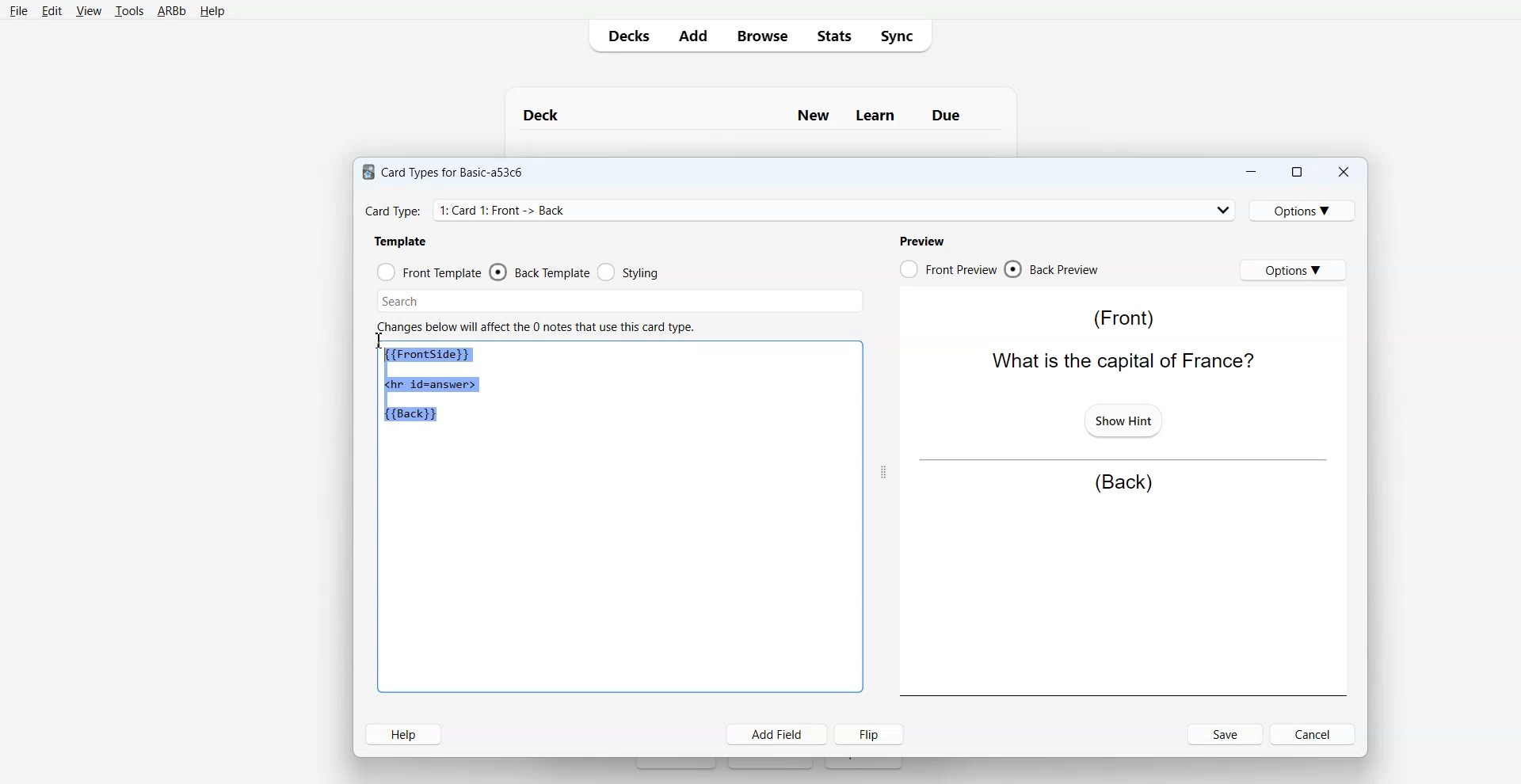 The image size is (1521, 784). Describe the element at coordinates (947, 269) in the screenshot. I see `Front Preview` at that location.